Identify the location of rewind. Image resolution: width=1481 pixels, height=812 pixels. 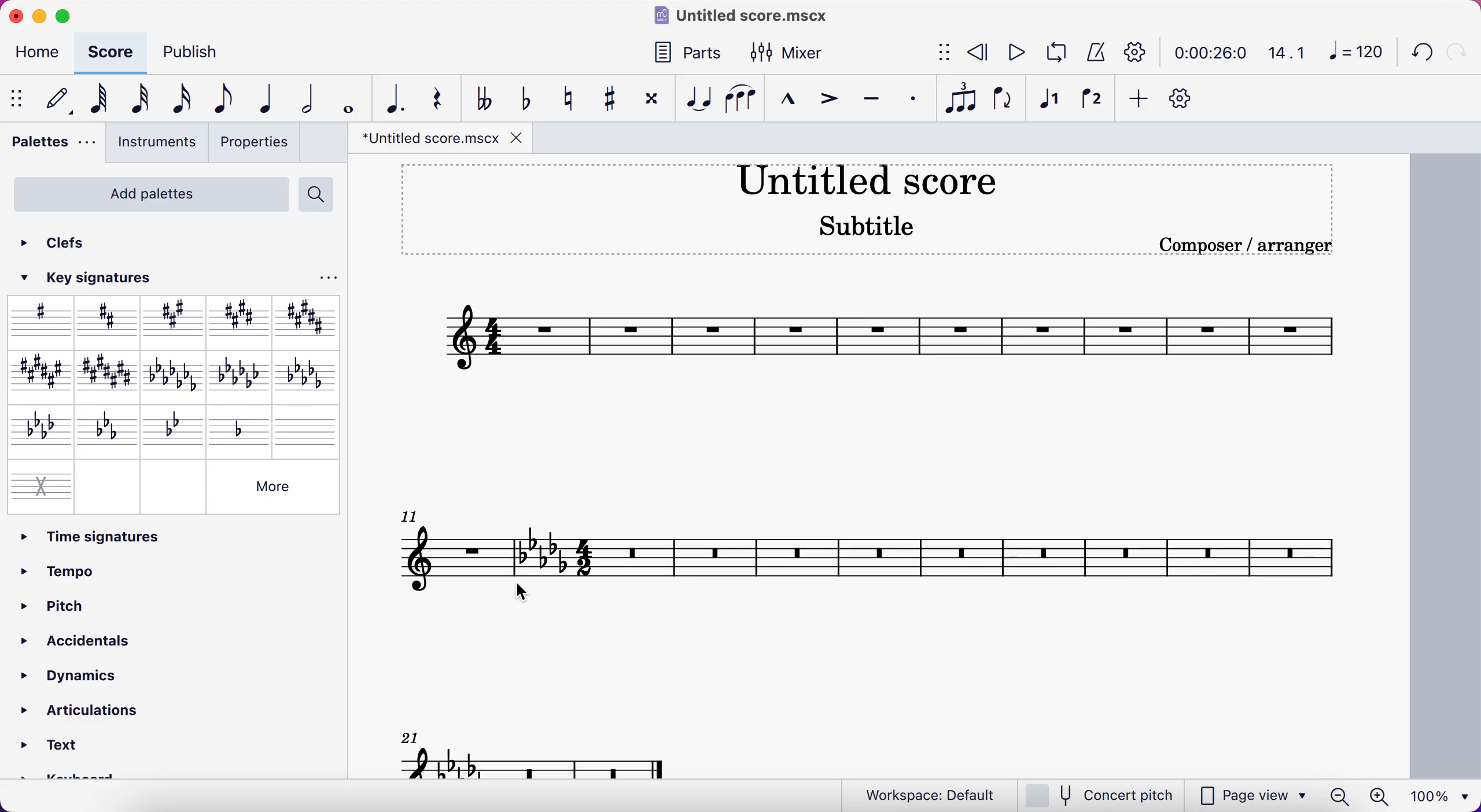
(978, 53).